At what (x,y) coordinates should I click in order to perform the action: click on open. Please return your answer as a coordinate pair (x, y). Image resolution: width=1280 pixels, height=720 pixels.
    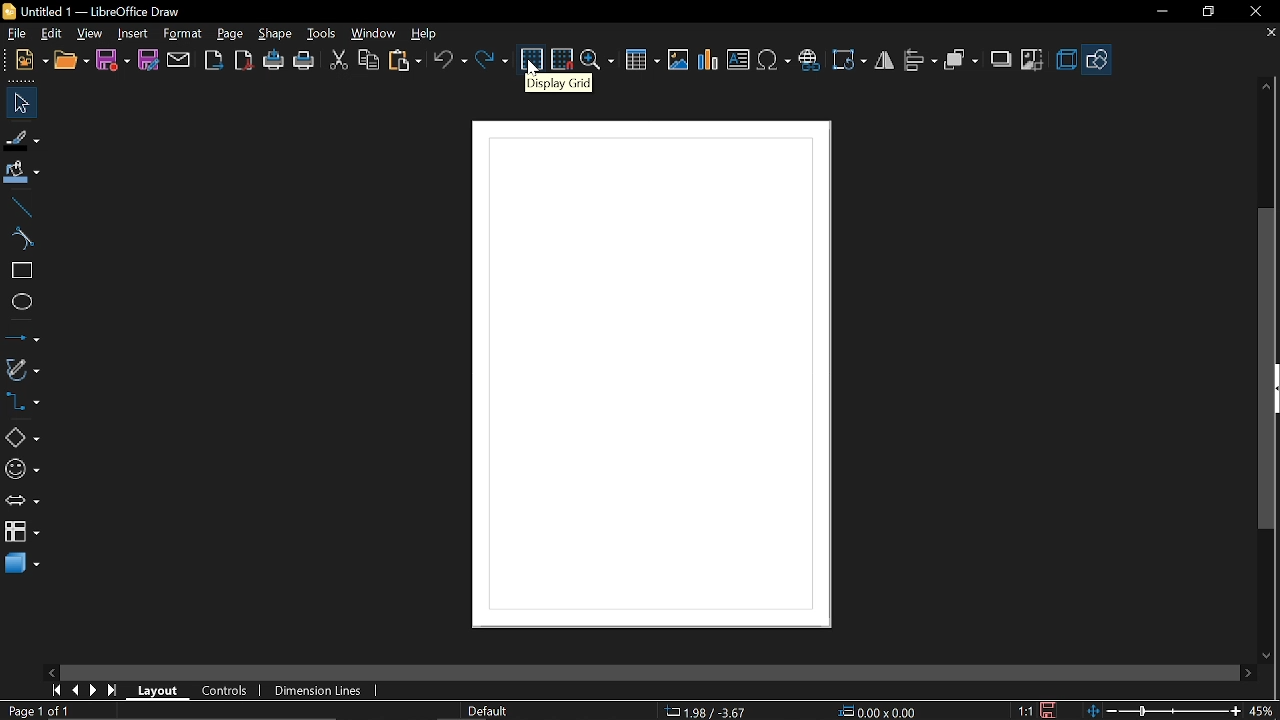
    Looking at the image, I should click on (72, 62).